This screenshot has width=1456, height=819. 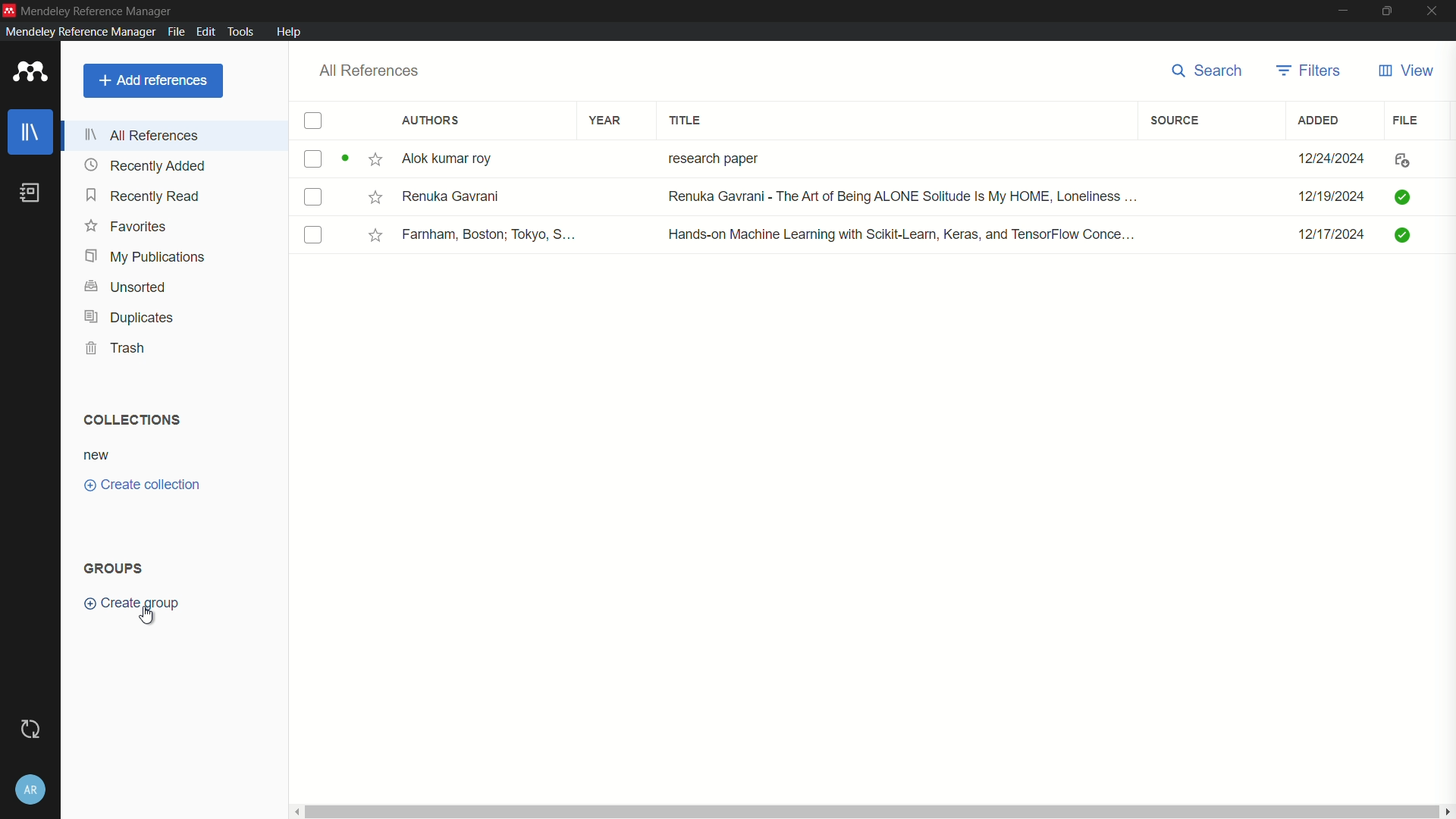 I want to click on cursor, so click(x=150, y=617).